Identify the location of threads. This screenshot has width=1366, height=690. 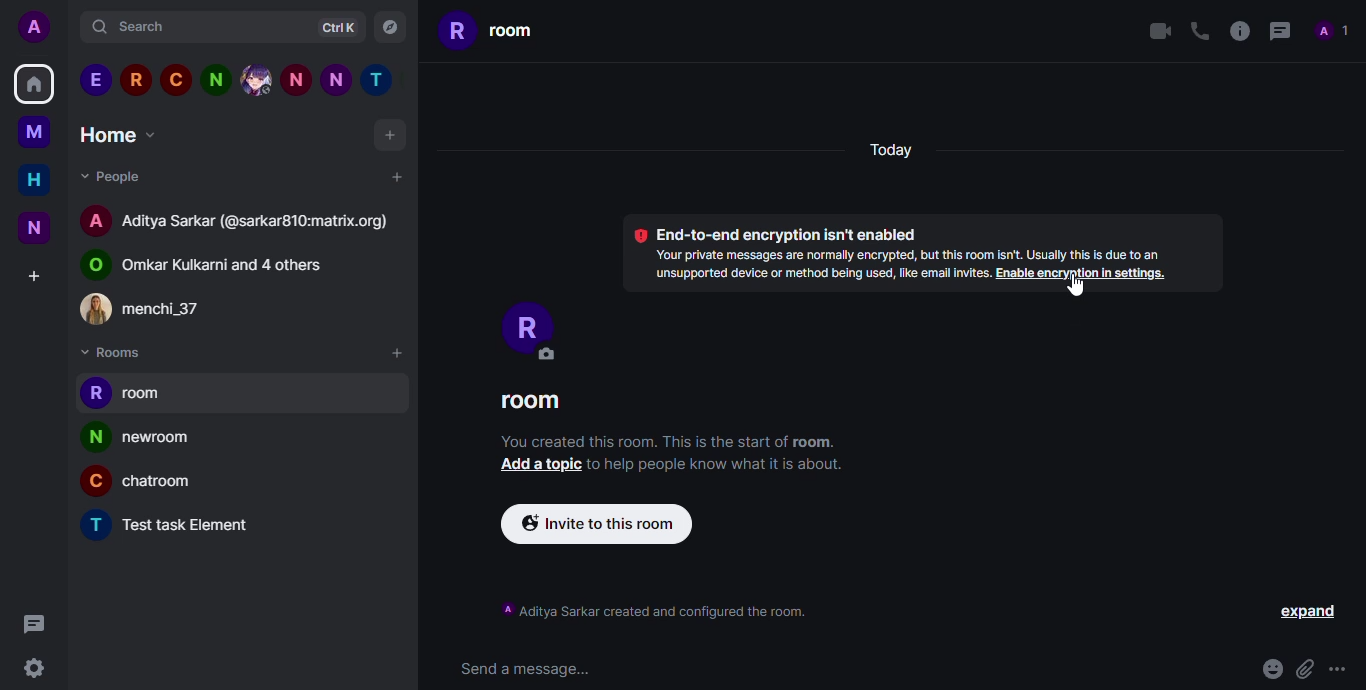
(1277, 30).